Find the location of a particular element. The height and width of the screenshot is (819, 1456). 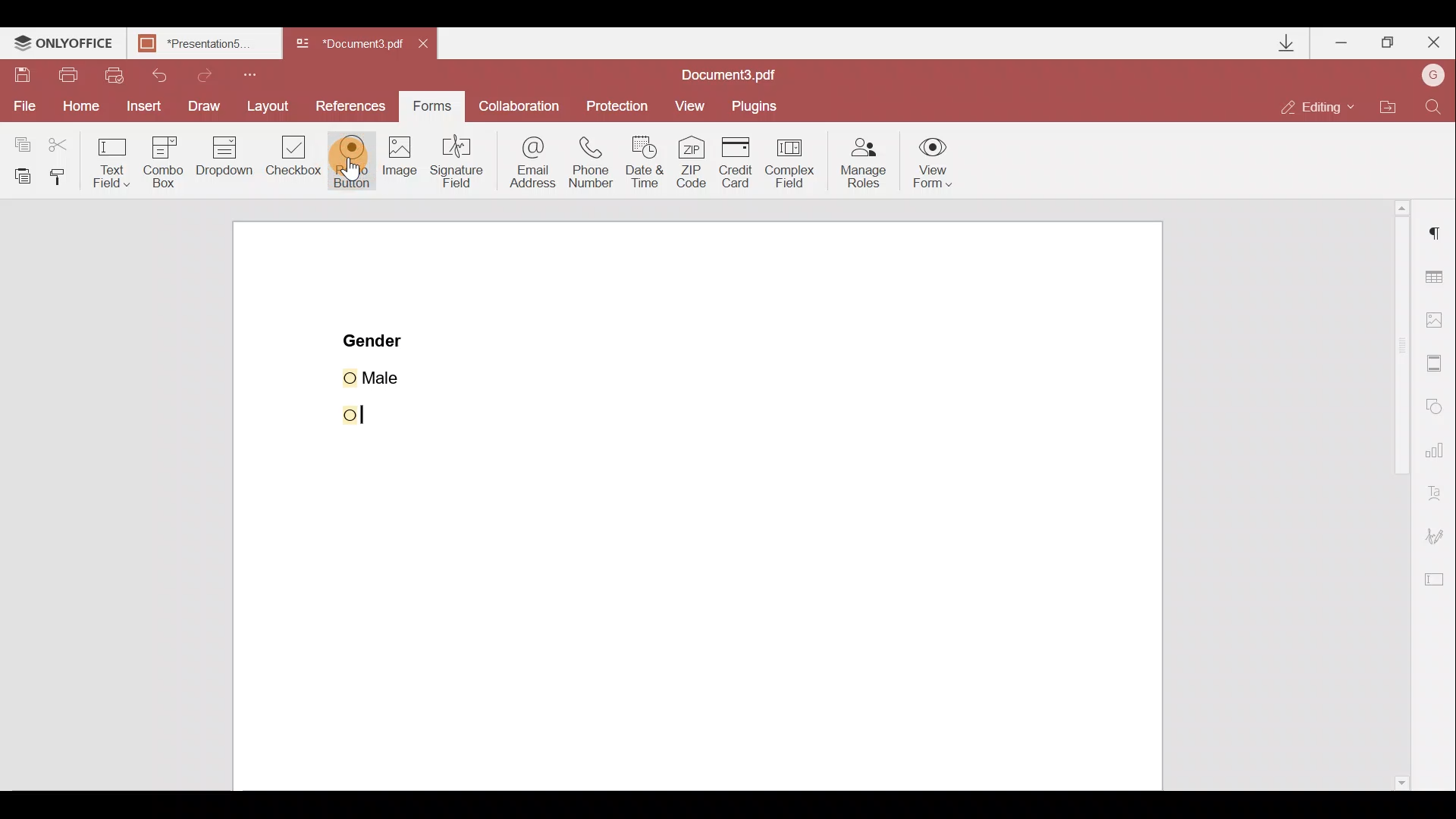

Cut is located at coordinates (58, 142).